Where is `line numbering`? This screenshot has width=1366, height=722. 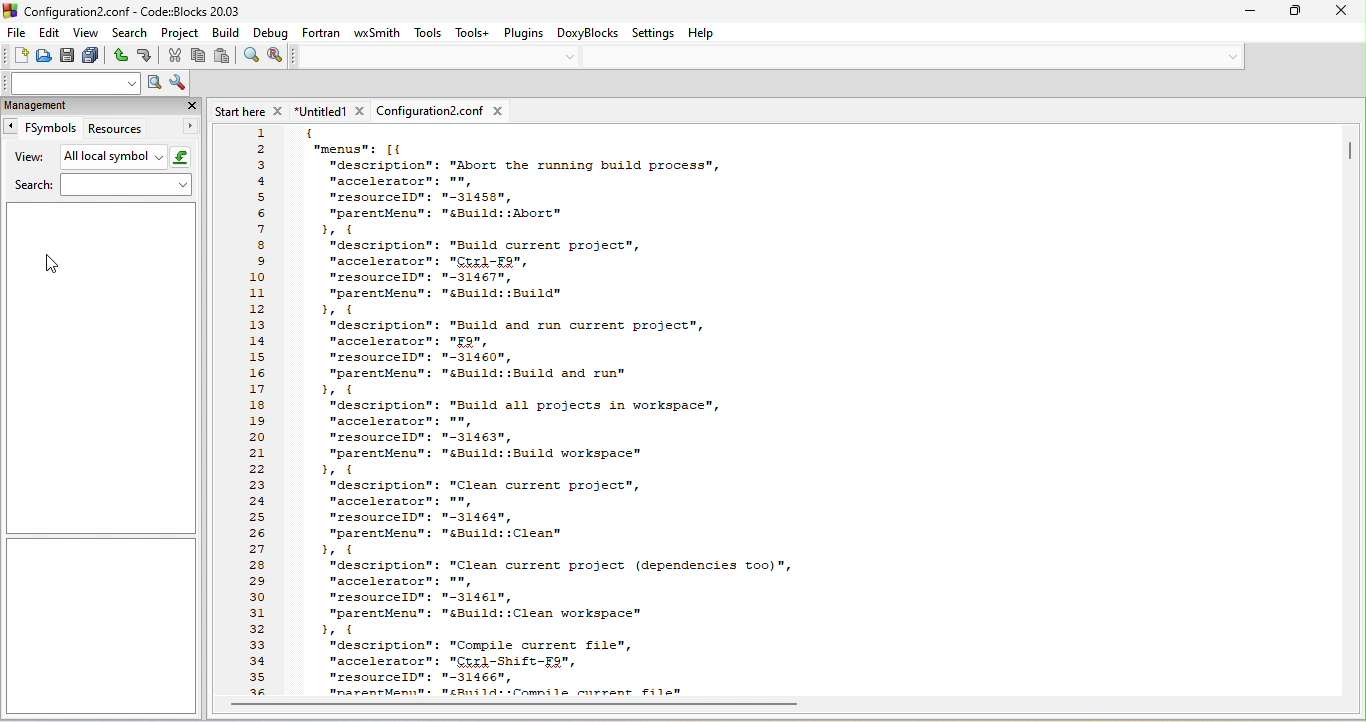
line numbering is located at coordinates (257, 410).